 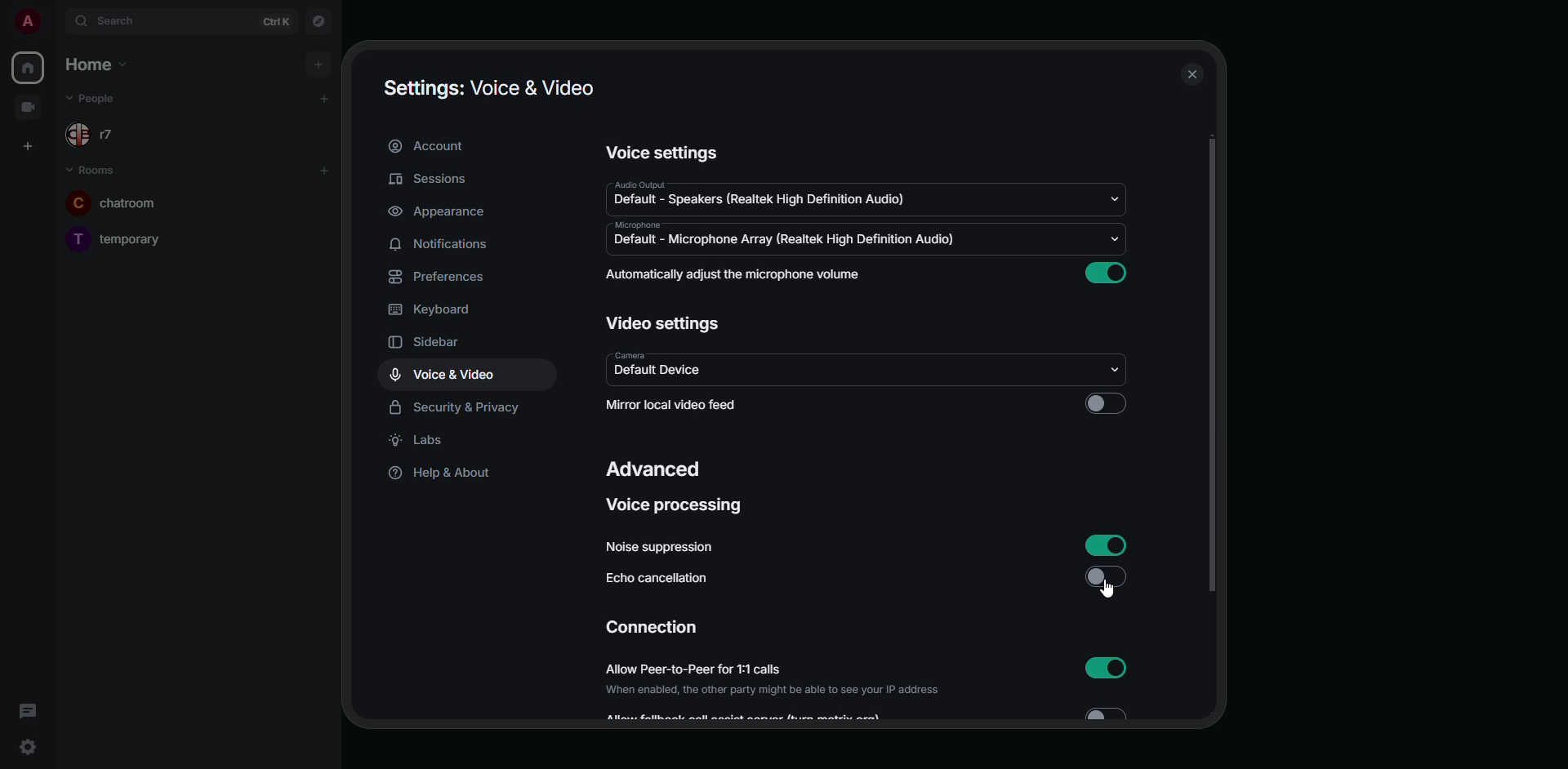 I want to click on drop down, so click(x=1113, y=238).